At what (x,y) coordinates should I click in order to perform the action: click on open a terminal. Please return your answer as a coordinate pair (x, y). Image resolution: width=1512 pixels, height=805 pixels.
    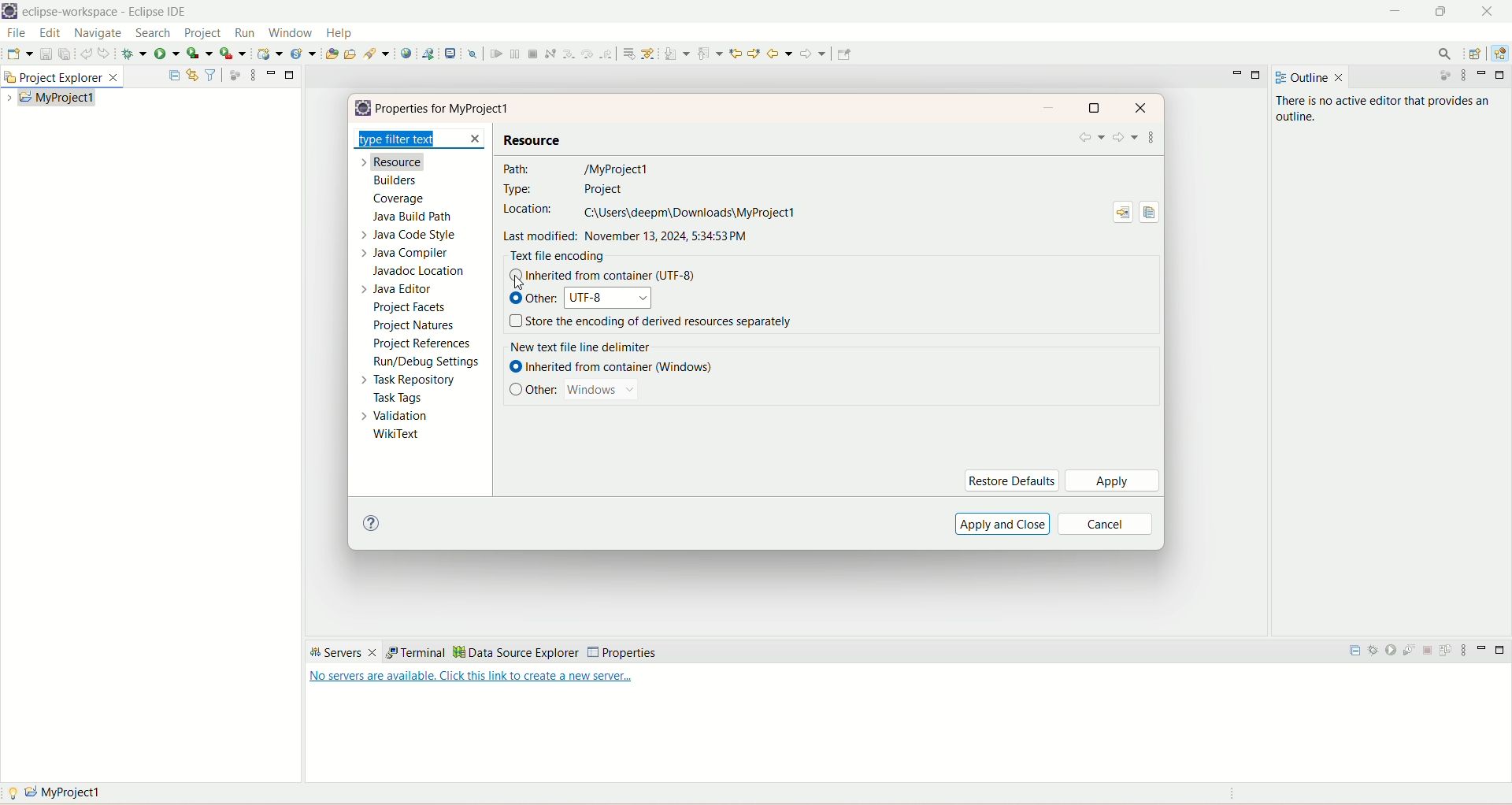
    Looking at the image, I should click on (451, 53).